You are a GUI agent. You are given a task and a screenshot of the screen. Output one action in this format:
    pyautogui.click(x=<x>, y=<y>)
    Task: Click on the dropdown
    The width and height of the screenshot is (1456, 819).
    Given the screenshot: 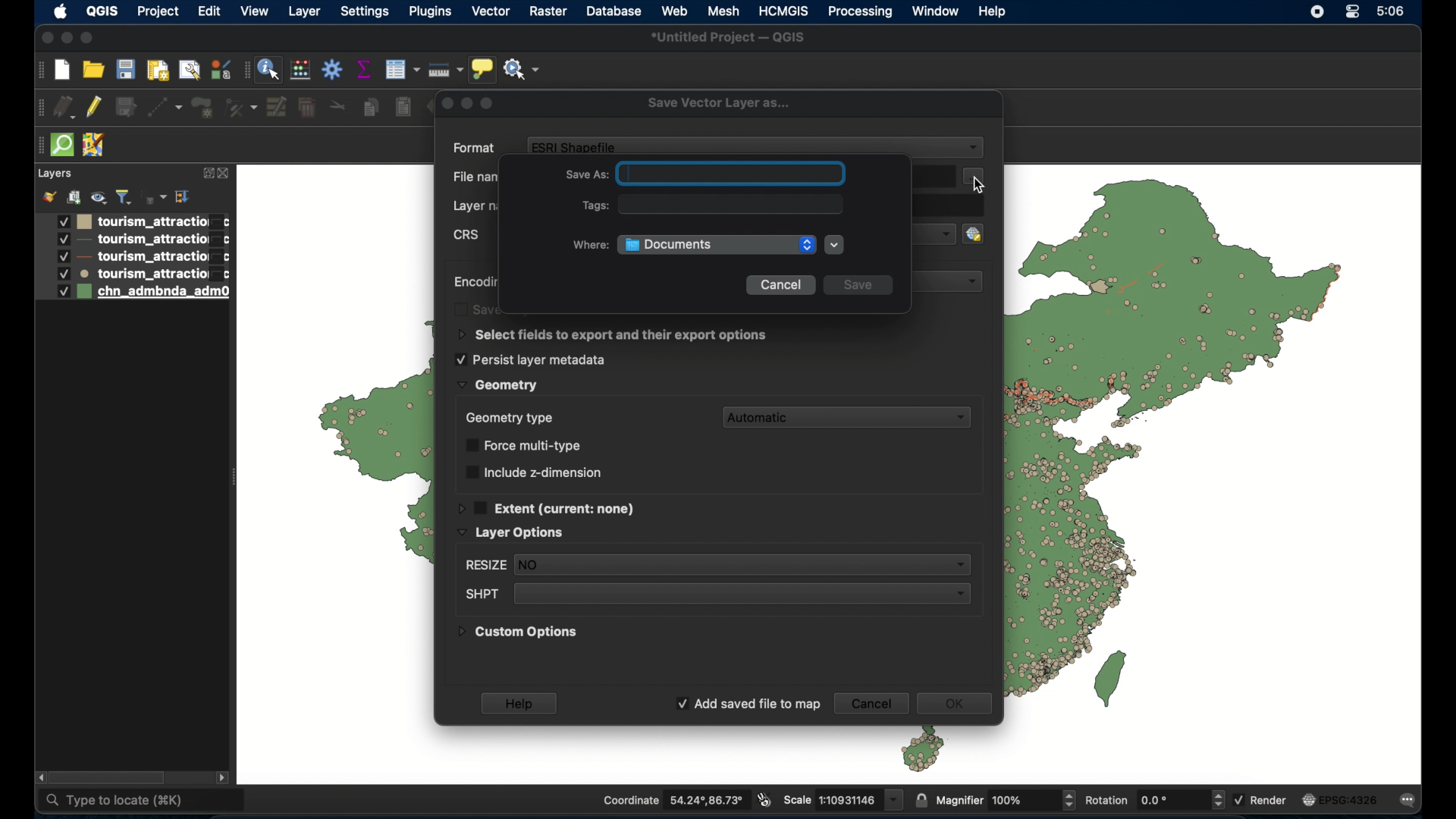 What is the action you would take?
    pyautogui.click(x=836, y=246)
    